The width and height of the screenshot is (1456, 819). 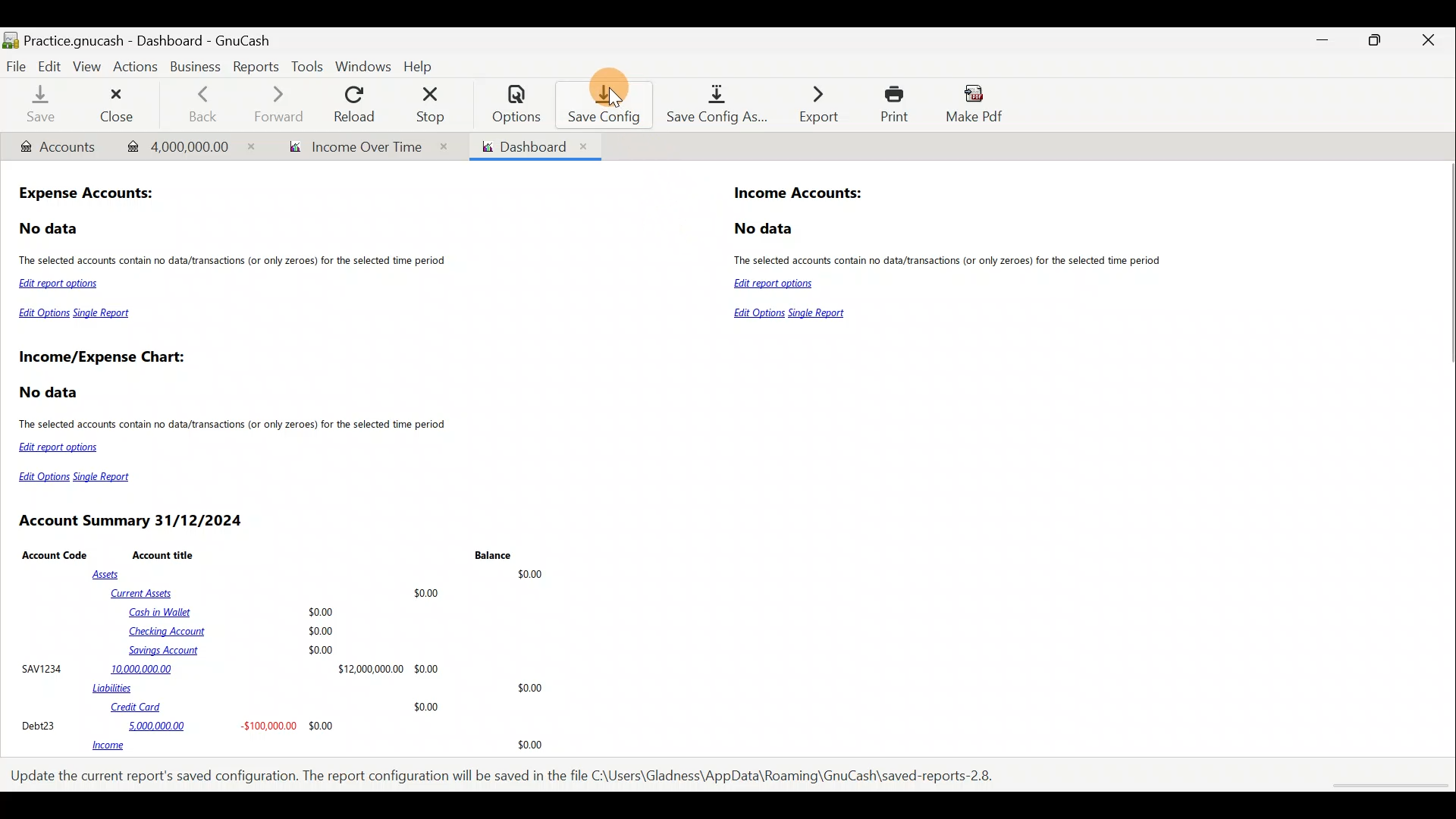 What do you see at coordinates (1429, 42) in the screenshot?
I see `Close` at bounding box center [1429, 42].